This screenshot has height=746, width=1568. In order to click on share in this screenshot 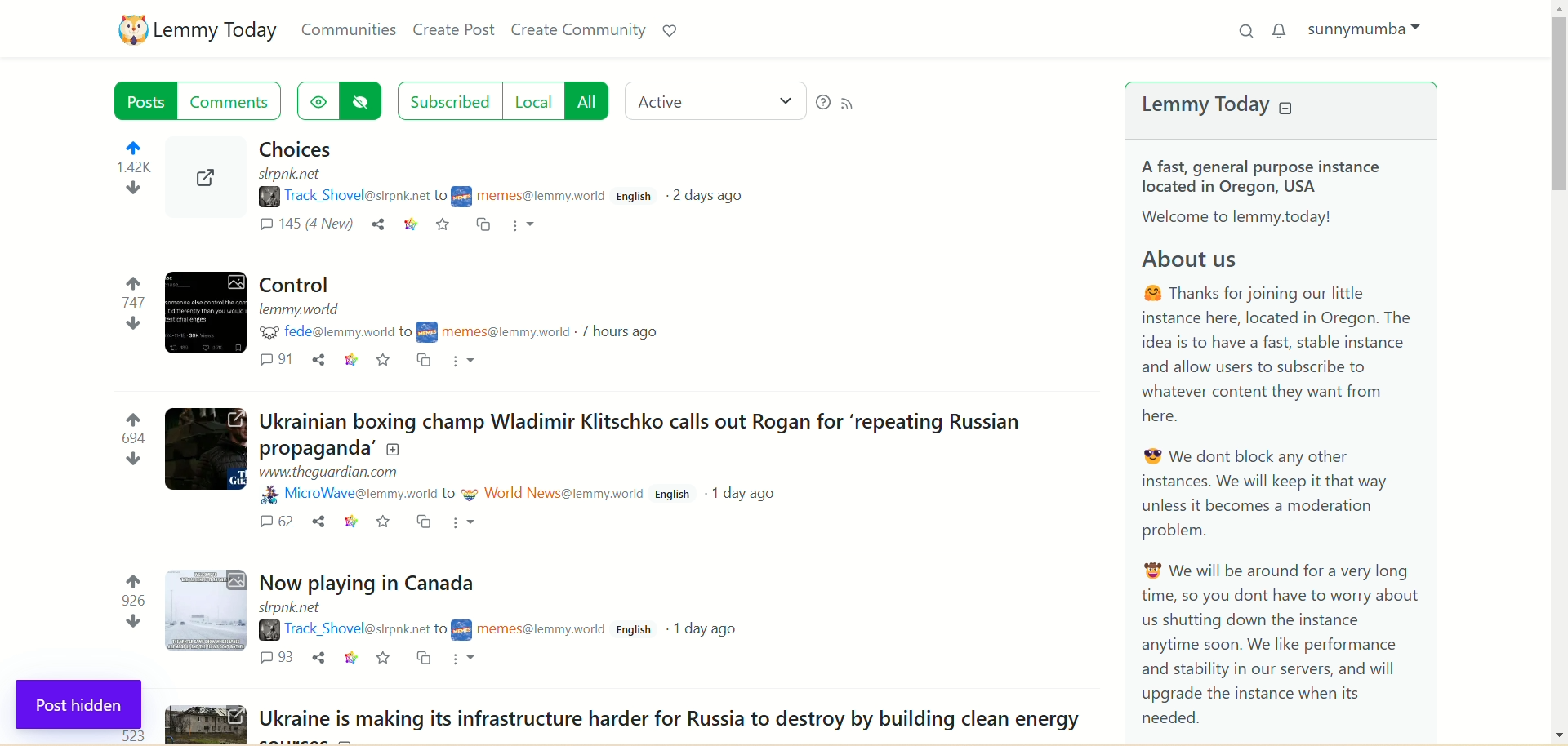, I will do `click(317, 521)`.